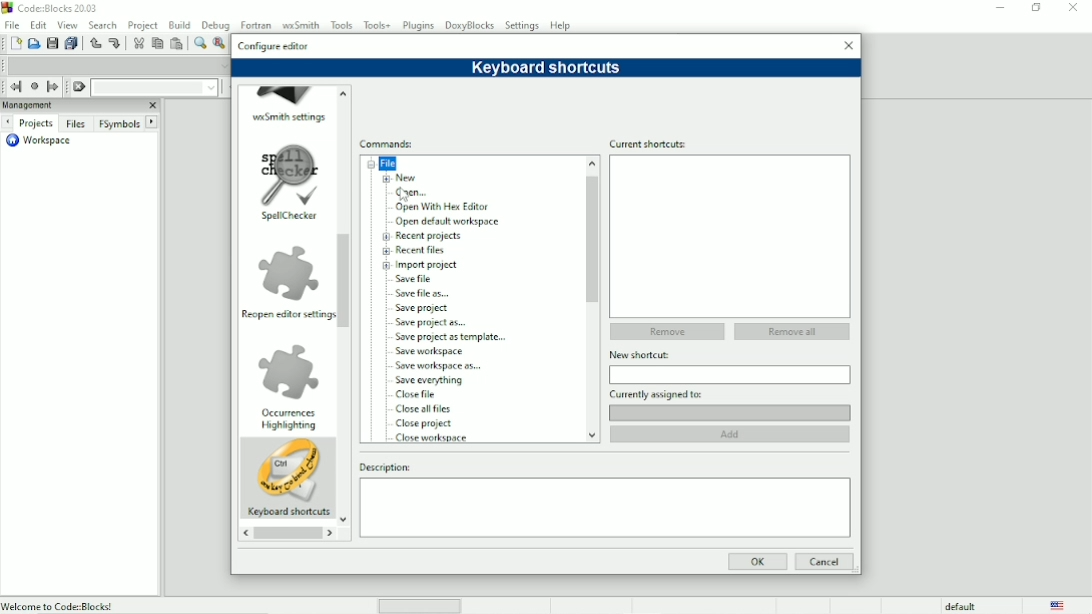 Image resolution: width=1092 pixels, height=614 pixels. Describe the element at coordinates (386, 163) in the screenshot. I see `File` at that location.